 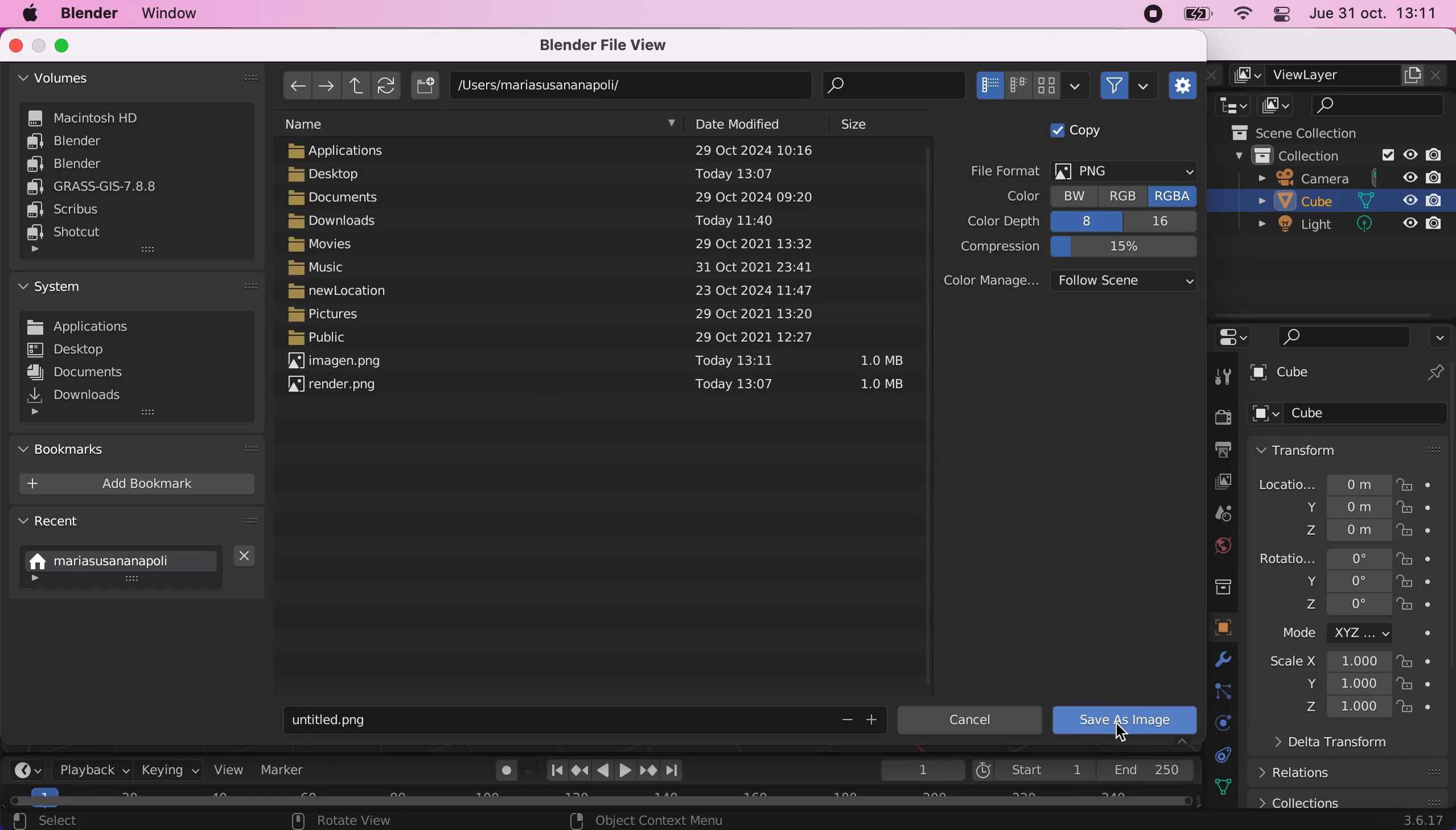 I want to click on recent location used, so click(x=145, y=571).